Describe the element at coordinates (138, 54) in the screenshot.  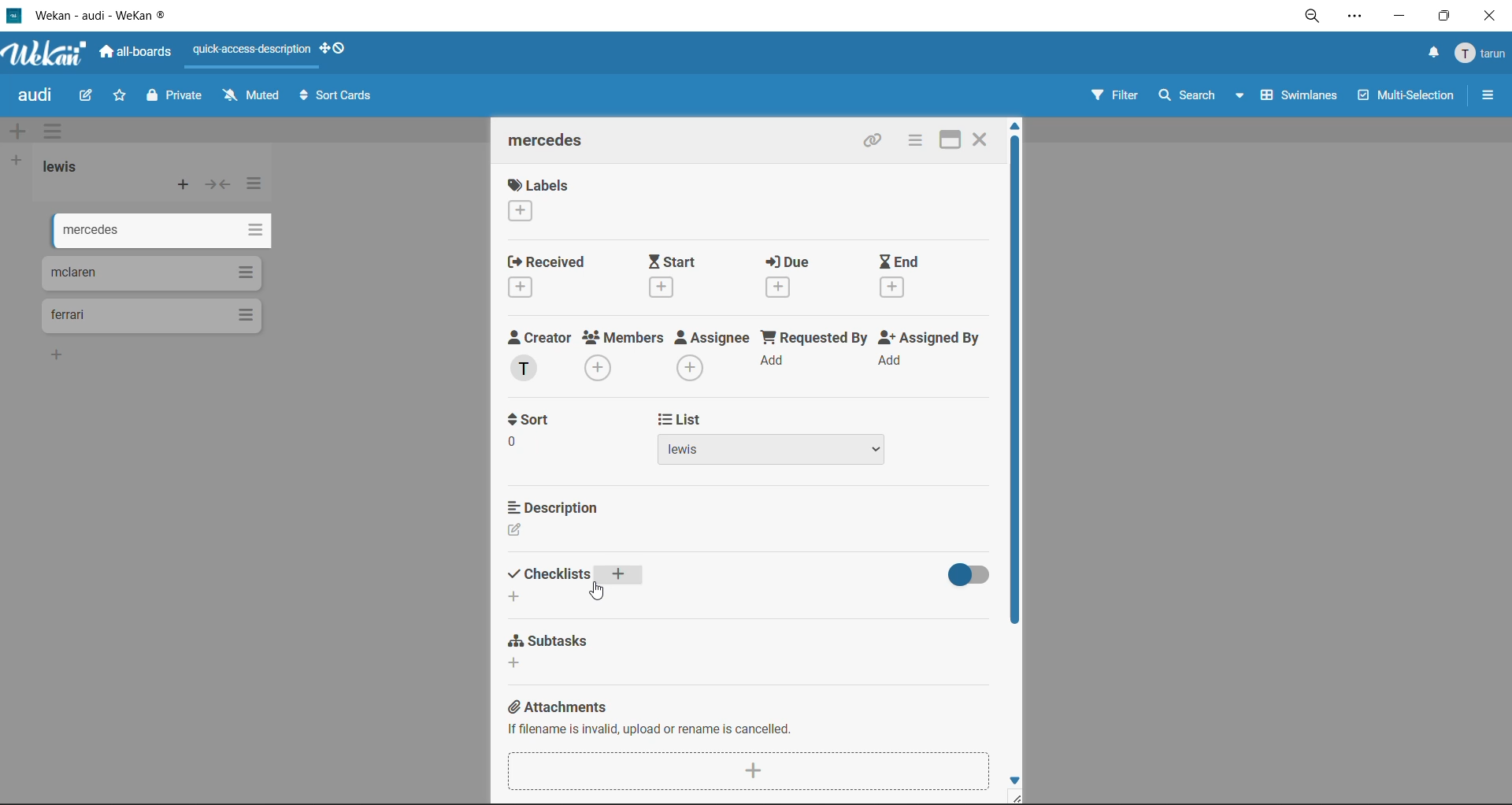
I see `all boards` at that location.